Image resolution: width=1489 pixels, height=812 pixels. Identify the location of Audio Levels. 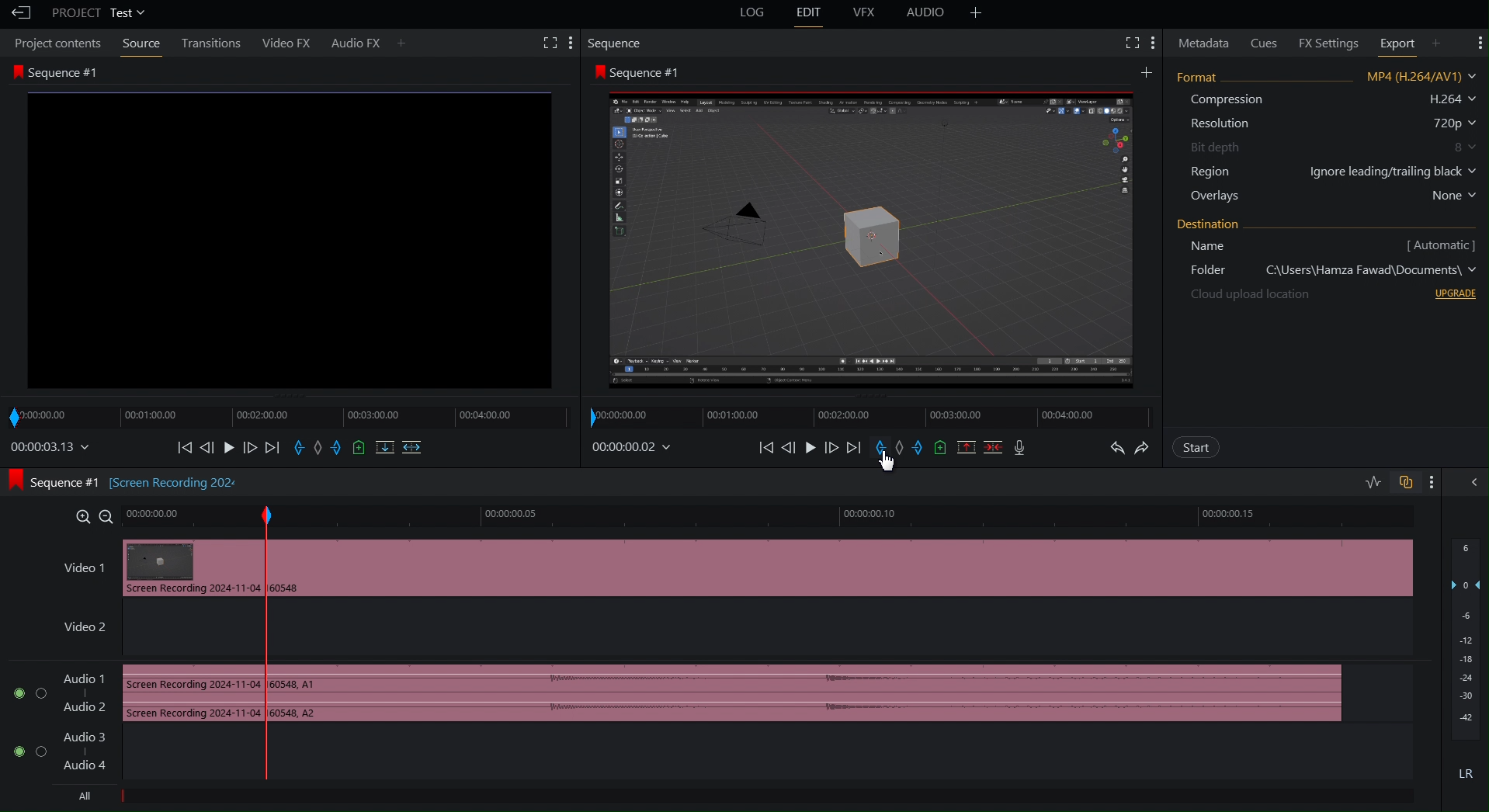
(1463, 666).